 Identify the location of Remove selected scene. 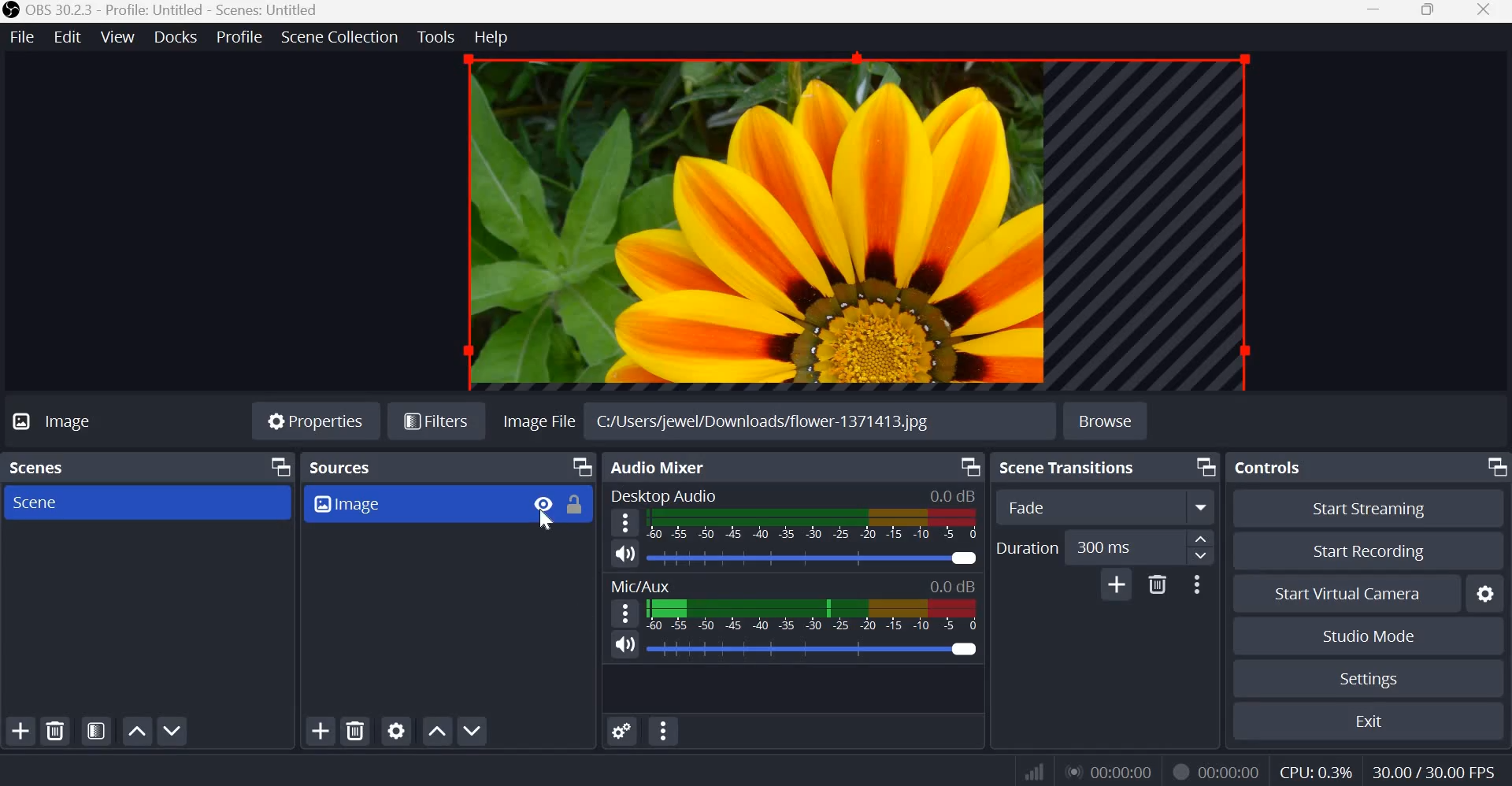
(57, 730).